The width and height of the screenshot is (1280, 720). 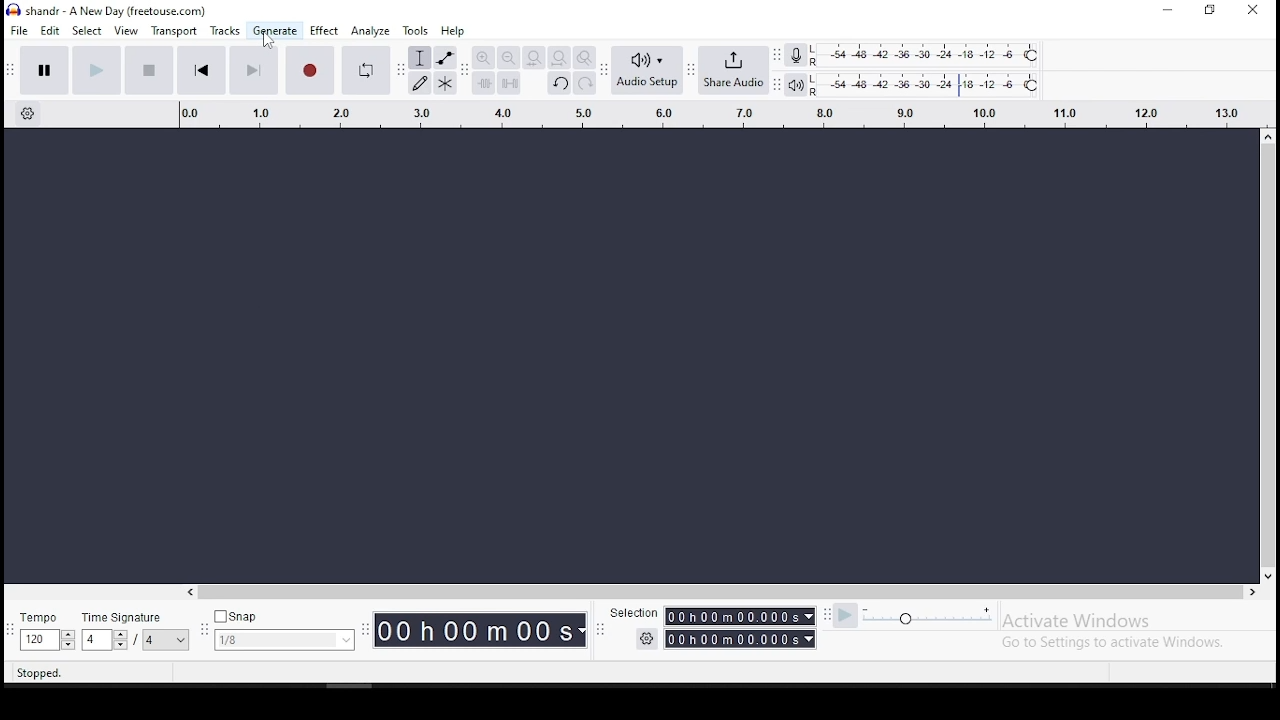 I want to click on edit, so click(x=52, y=31).